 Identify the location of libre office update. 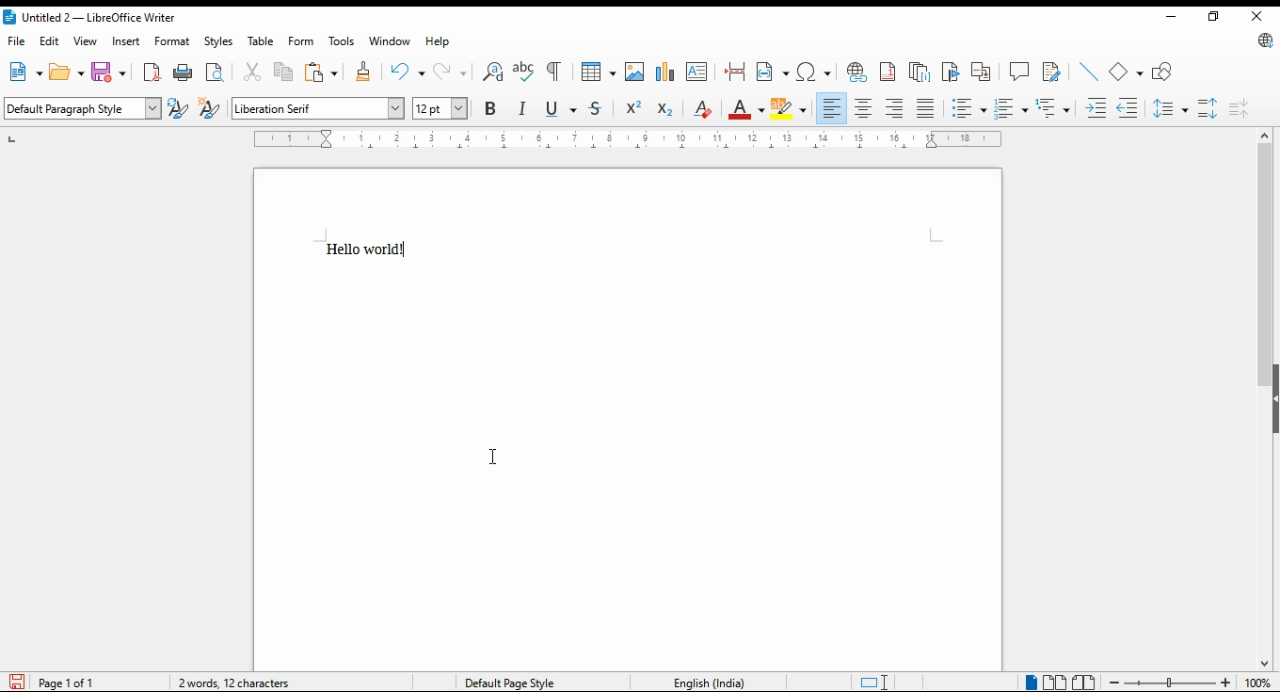
(1261, 42).